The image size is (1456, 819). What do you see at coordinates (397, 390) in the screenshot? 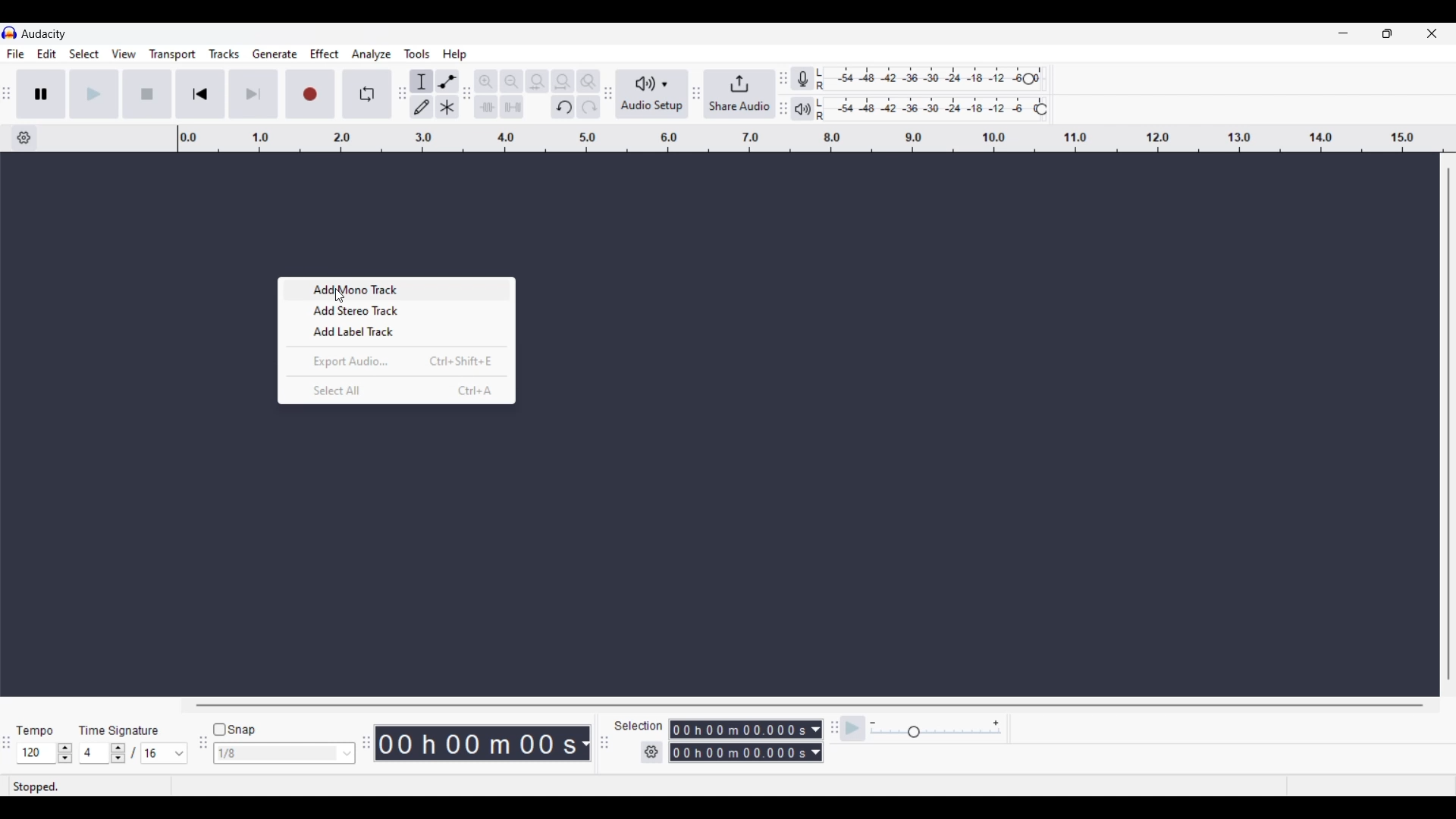
I see `Select all` at bounding box center [397, 390].